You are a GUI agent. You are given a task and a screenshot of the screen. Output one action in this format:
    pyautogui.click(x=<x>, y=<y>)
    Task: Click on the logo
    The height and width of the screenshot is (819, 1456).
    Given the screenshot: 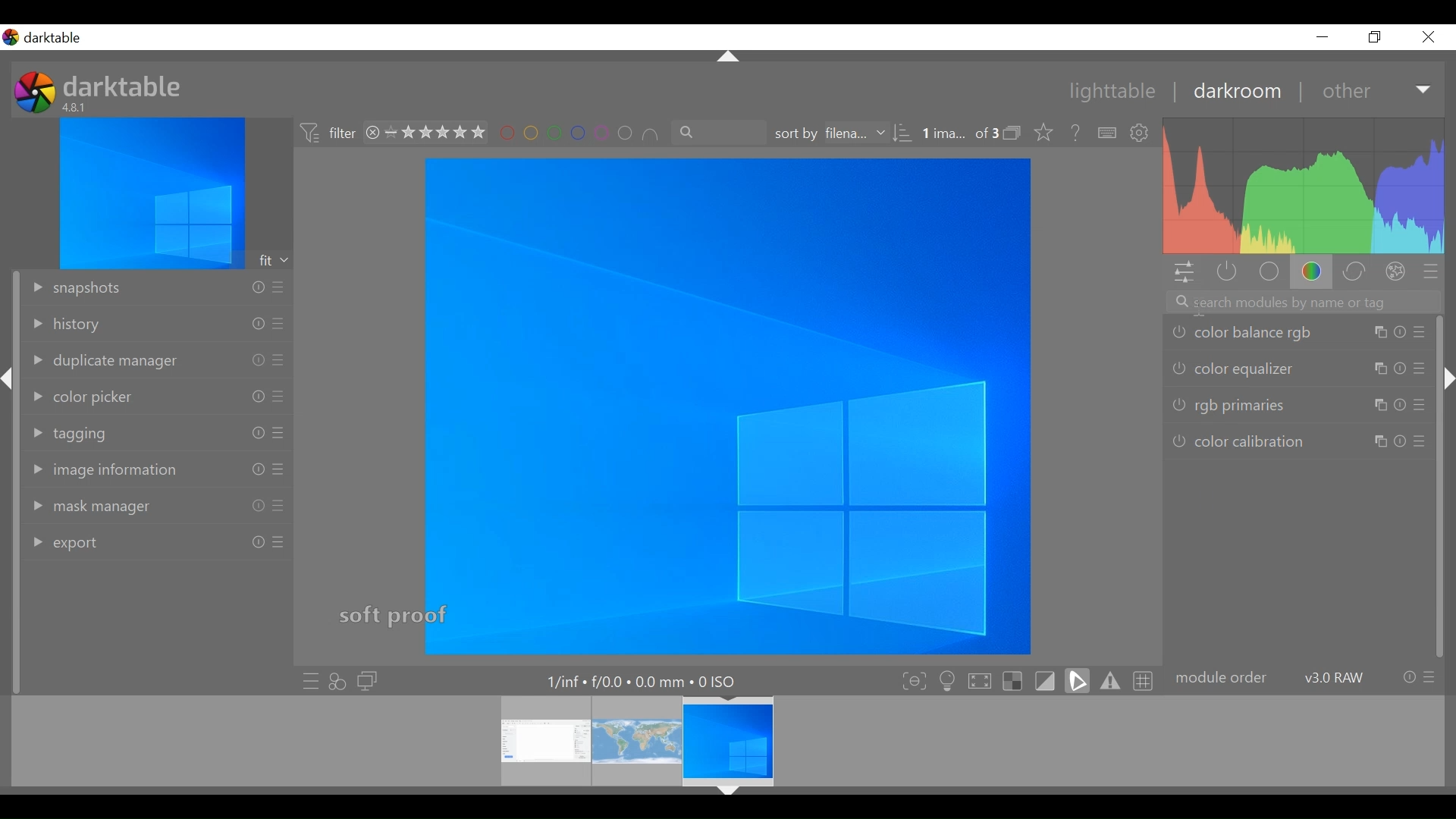 What is the action you would take?
    pyautogui.click(x=11, y=37)
    